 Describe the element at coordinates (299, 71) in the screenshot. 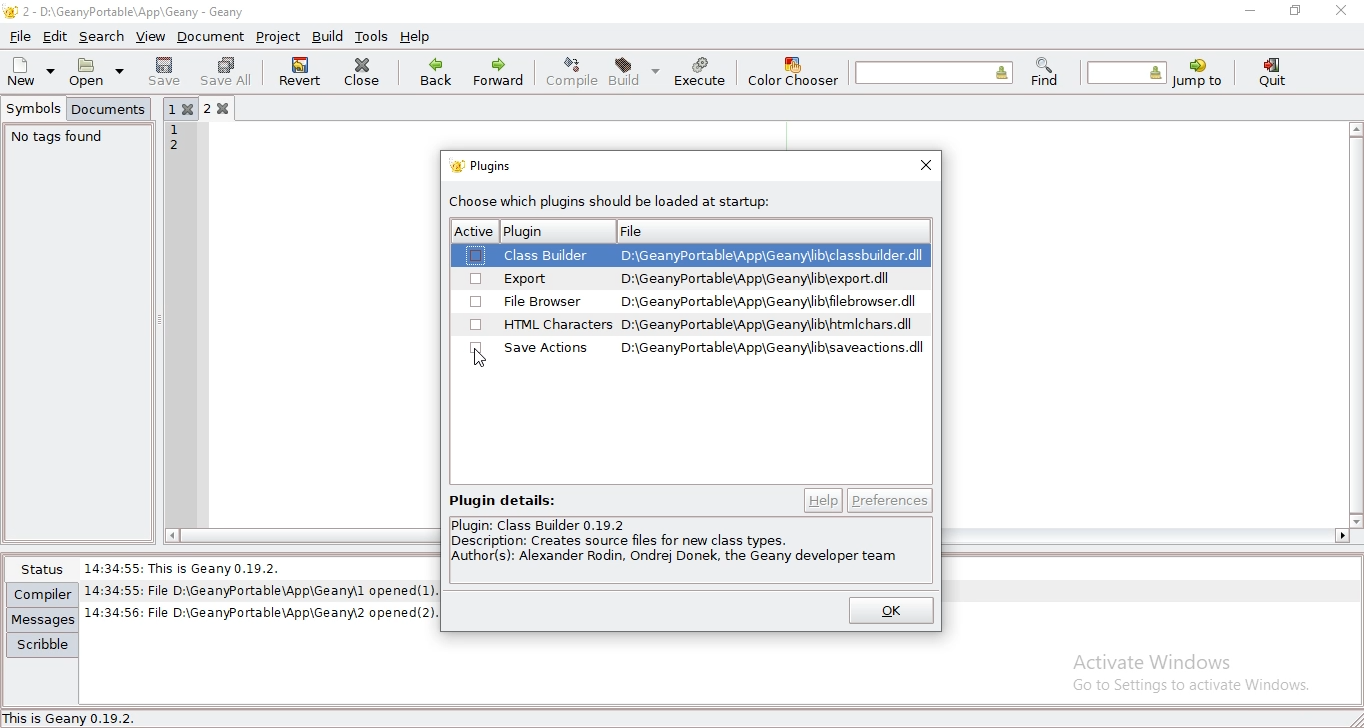

I see `revert` at that location.